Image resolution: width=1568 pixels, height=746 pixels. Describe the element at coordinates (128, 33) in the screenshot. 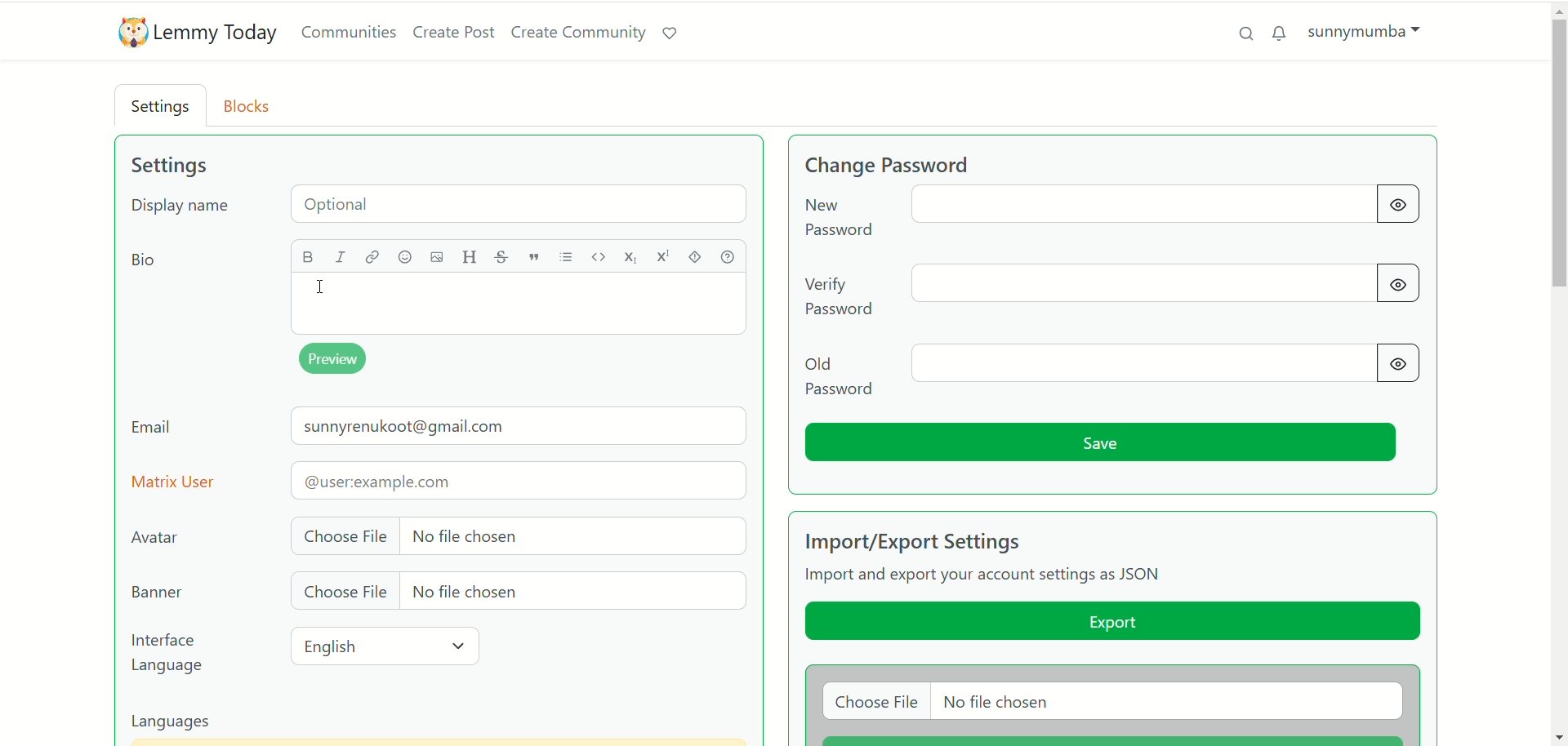

I see `logo` at that location.